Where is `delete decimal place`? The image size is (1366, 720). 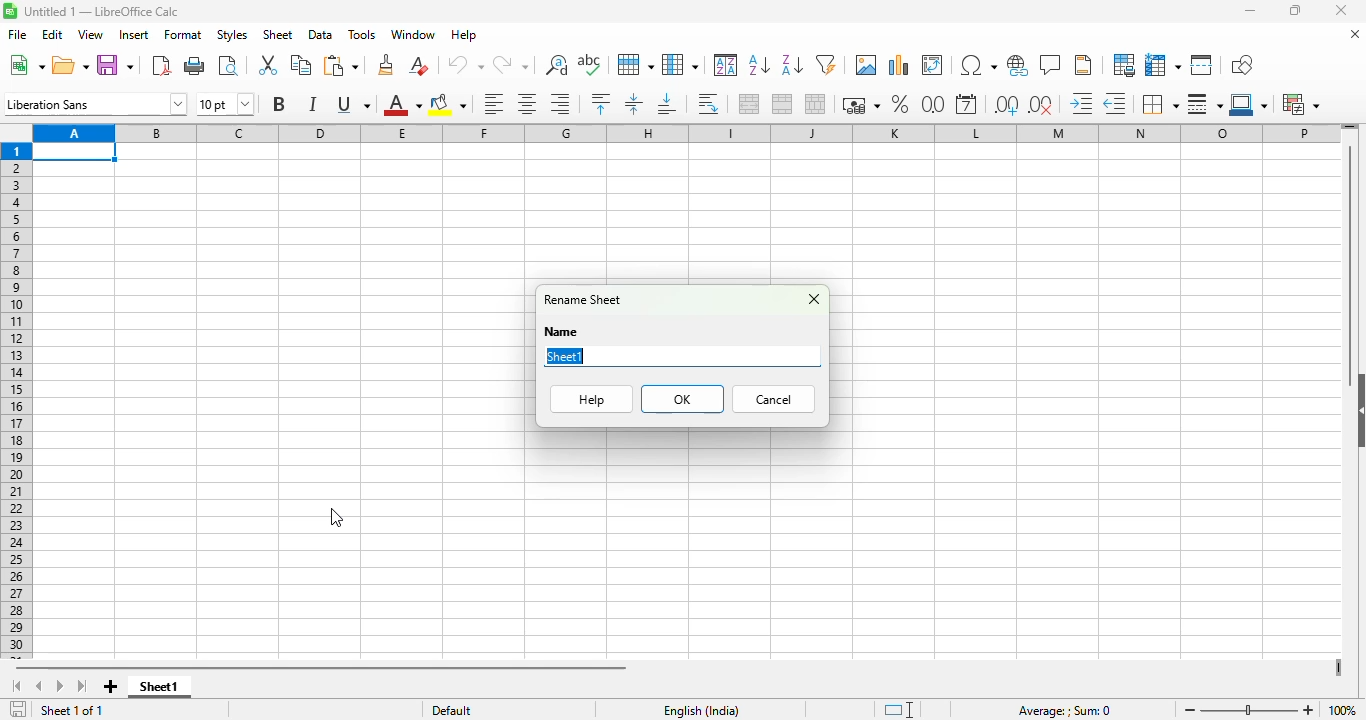
delete decimal place is located at coordinates (1042, 105).